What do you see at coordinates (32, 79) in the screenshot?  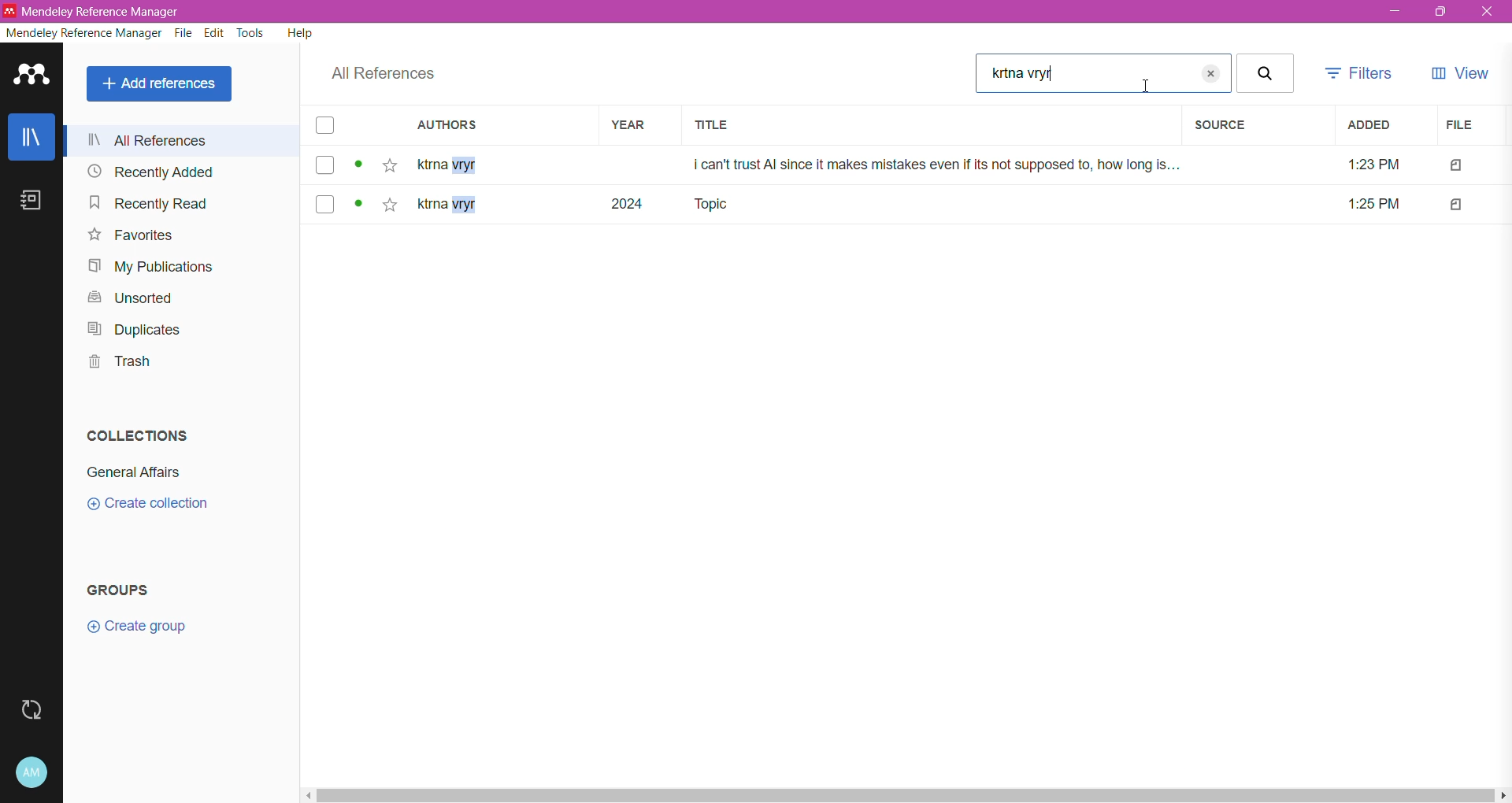 I see `Application Logo` at bounding box center [32, 79].